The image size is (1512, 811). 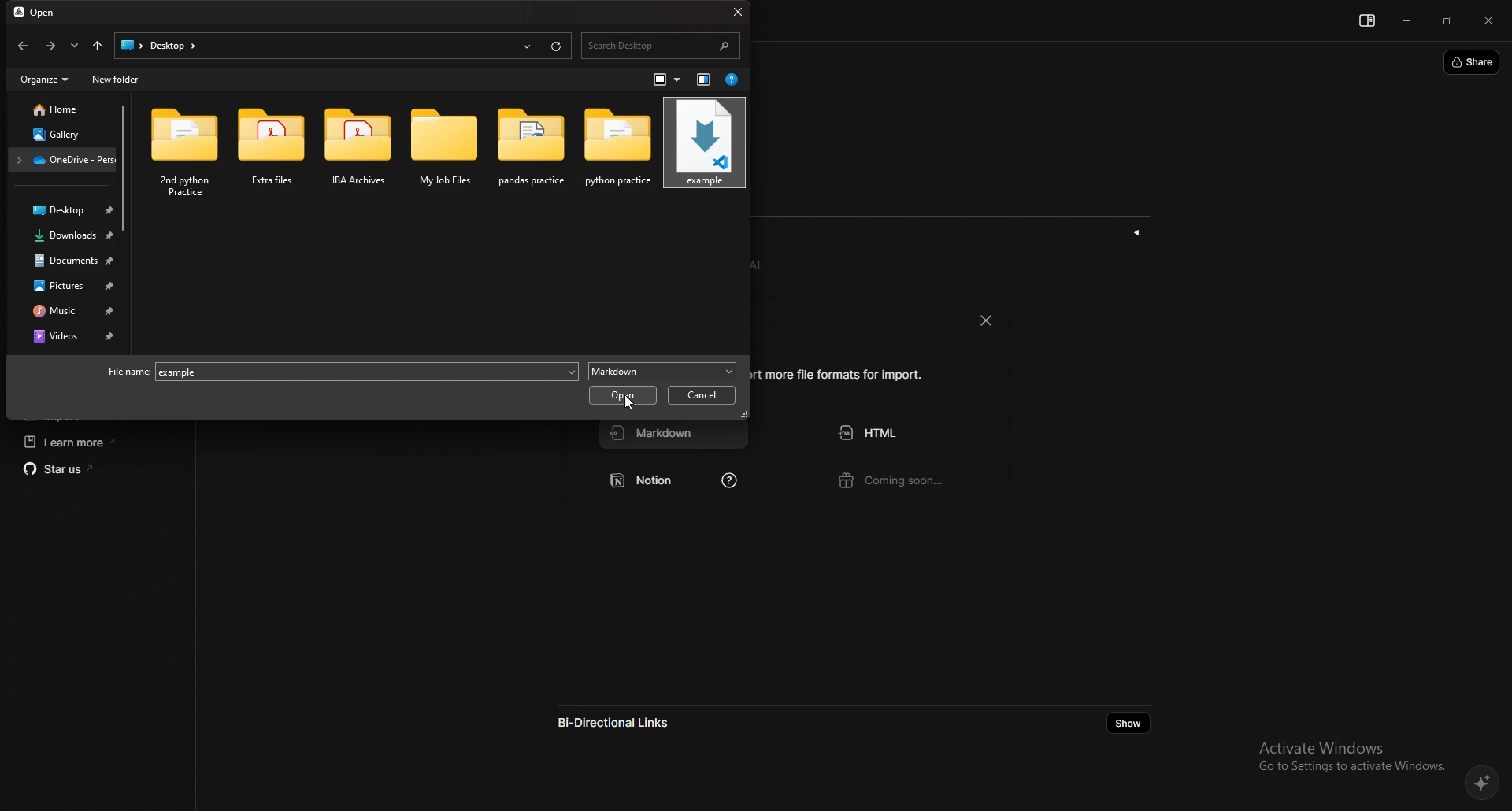 What do you see at coordinates (67, 285) in the screenshot?
I see `pictures` at bounding box center [67, 285].